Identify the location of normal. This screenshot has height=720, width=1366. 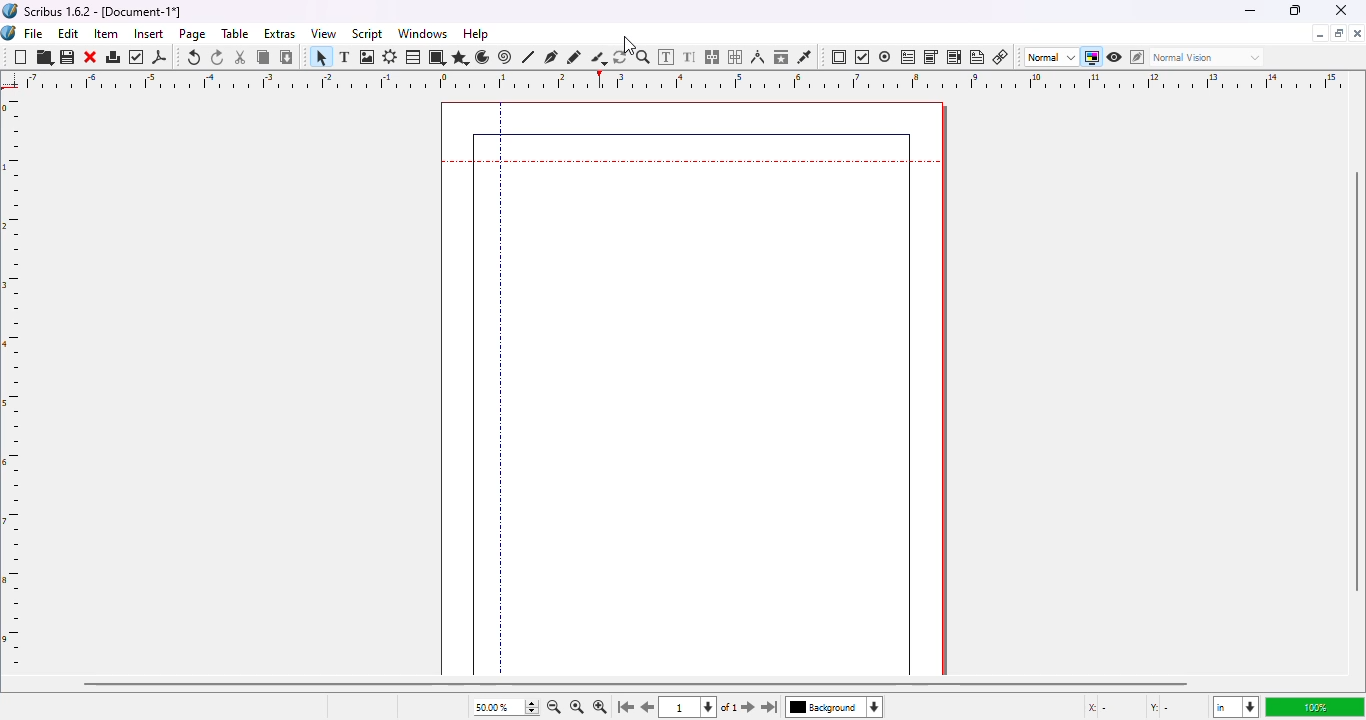
(1050, 57).